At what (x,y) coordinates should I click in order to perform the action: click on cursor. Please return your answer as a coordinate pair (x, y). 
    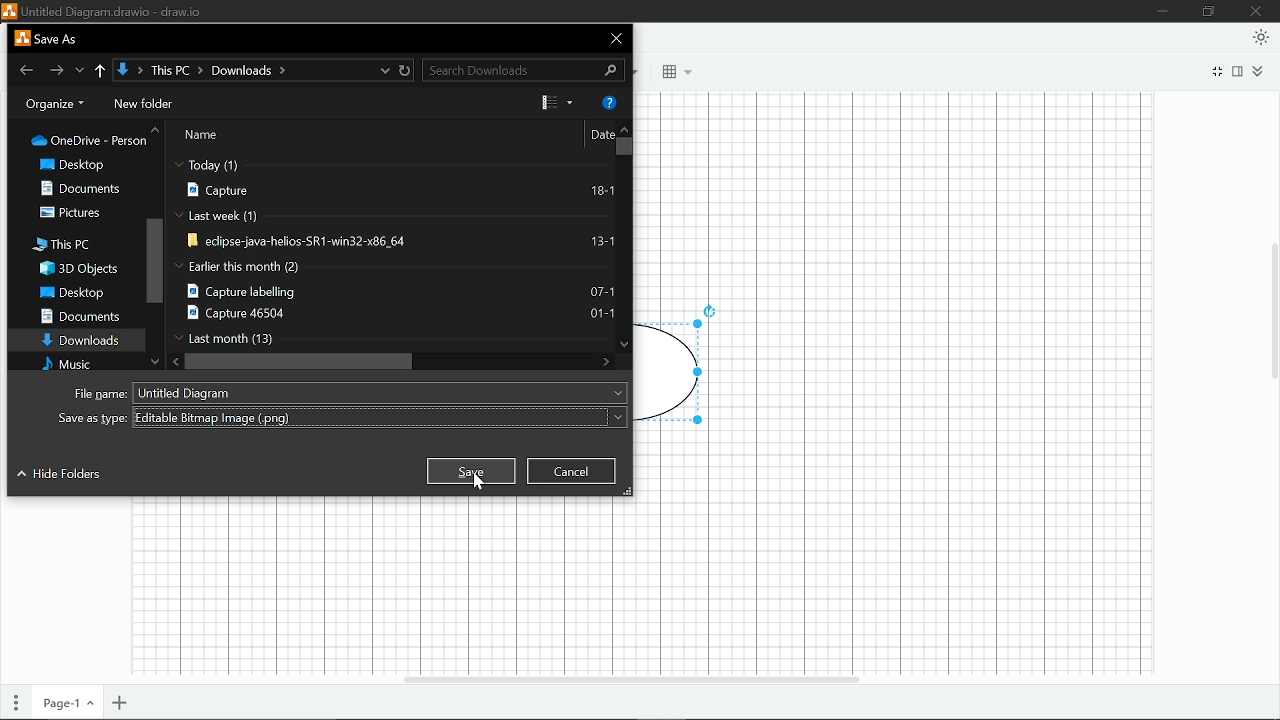
    Looking at the image, I should click on (479, 481).